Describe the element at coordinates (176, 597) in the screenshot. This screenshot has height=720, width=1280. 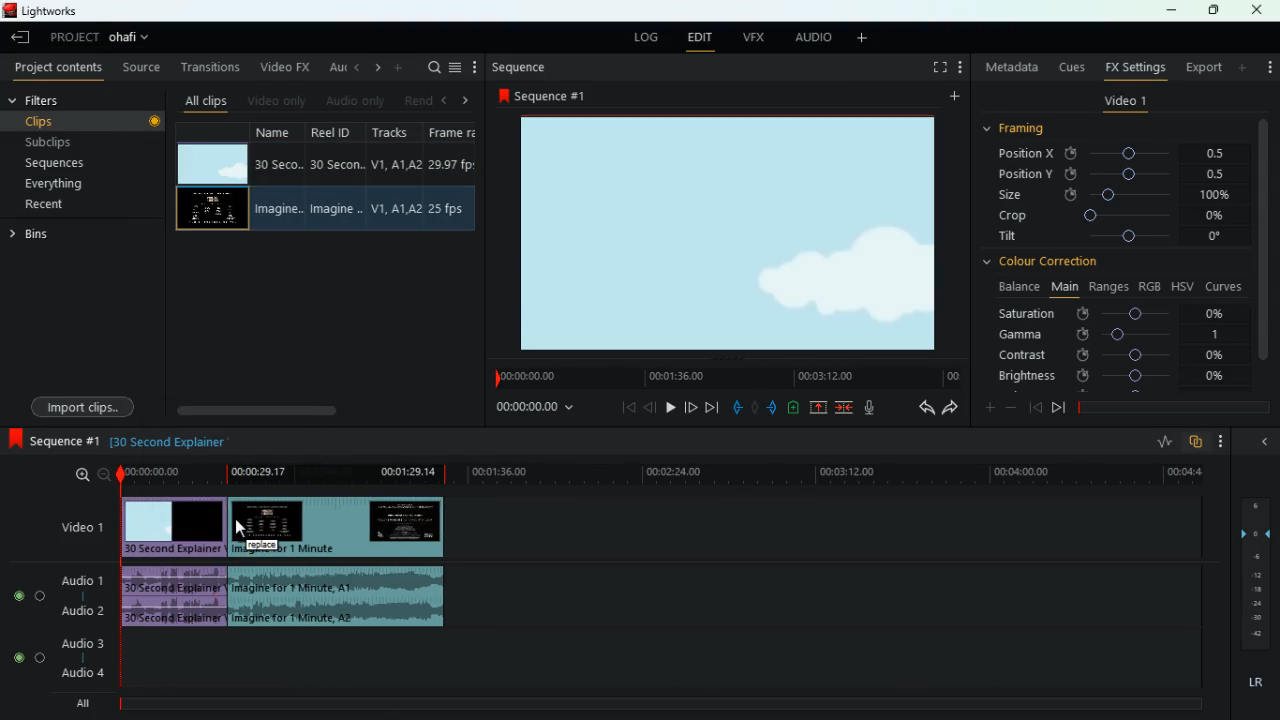
I see `audio` at that location.